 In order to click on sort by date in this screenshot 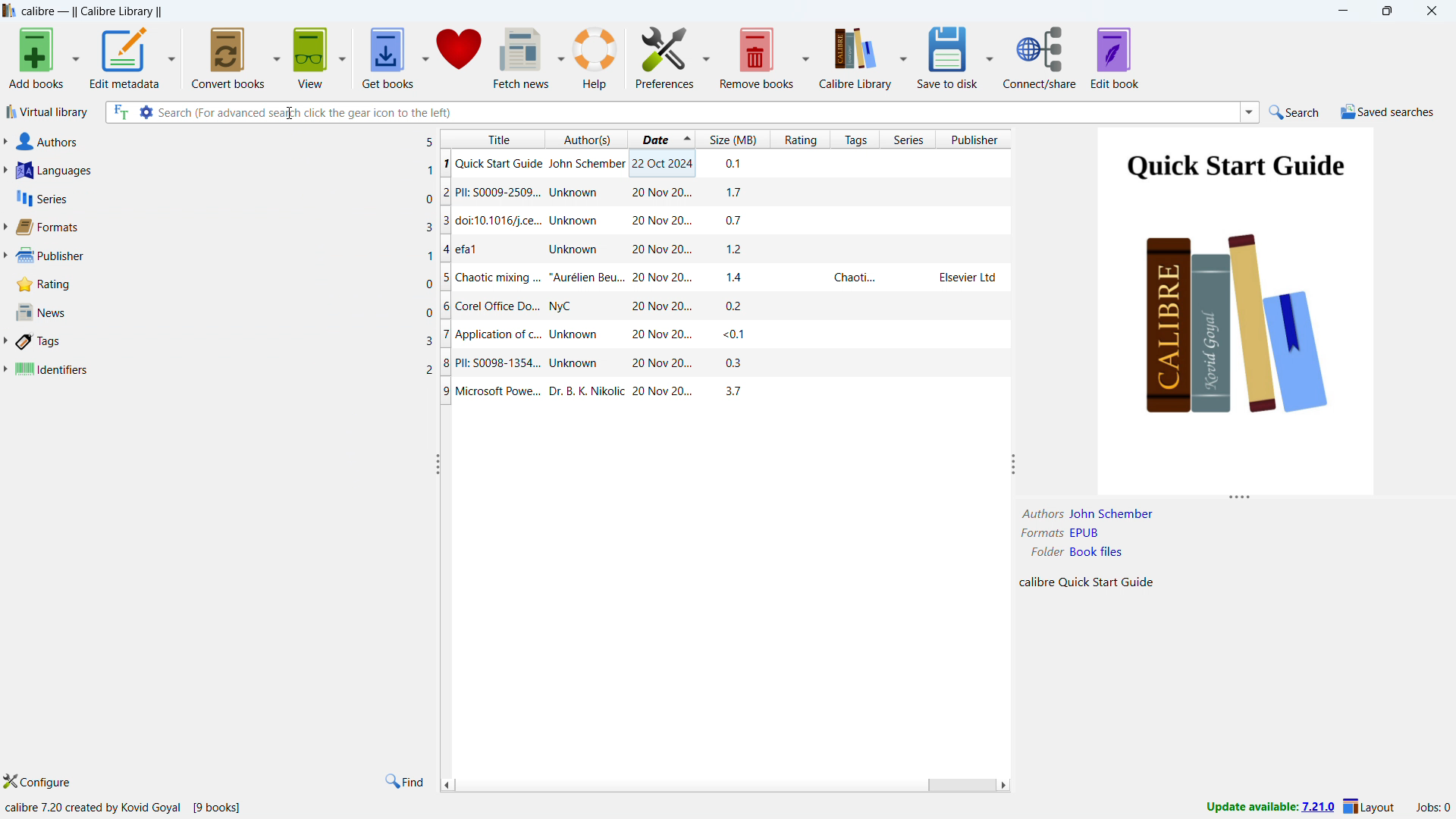, I will do `click(654, 139)`.